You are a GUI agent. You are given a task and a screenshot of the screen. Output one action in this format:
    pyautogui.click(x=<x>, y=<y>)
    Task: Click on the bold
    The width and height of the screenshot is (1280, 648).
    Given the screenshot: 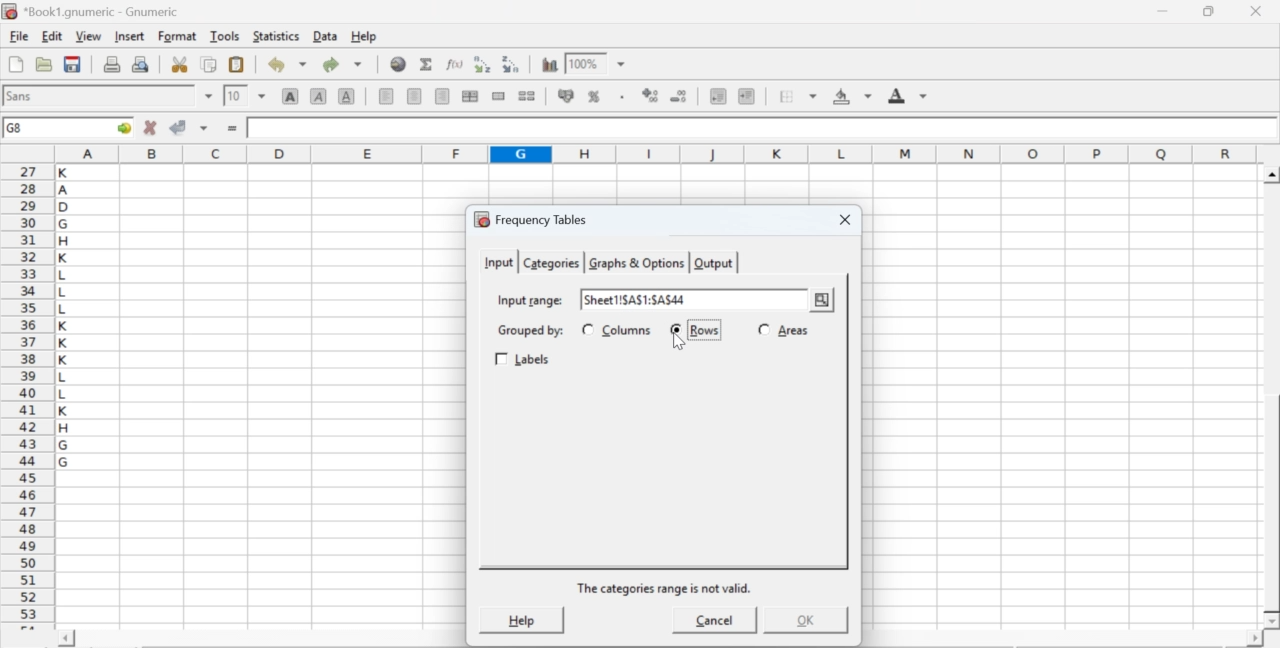 What is the action you would take?
    pyautogui.click(x=291, y=95)
    